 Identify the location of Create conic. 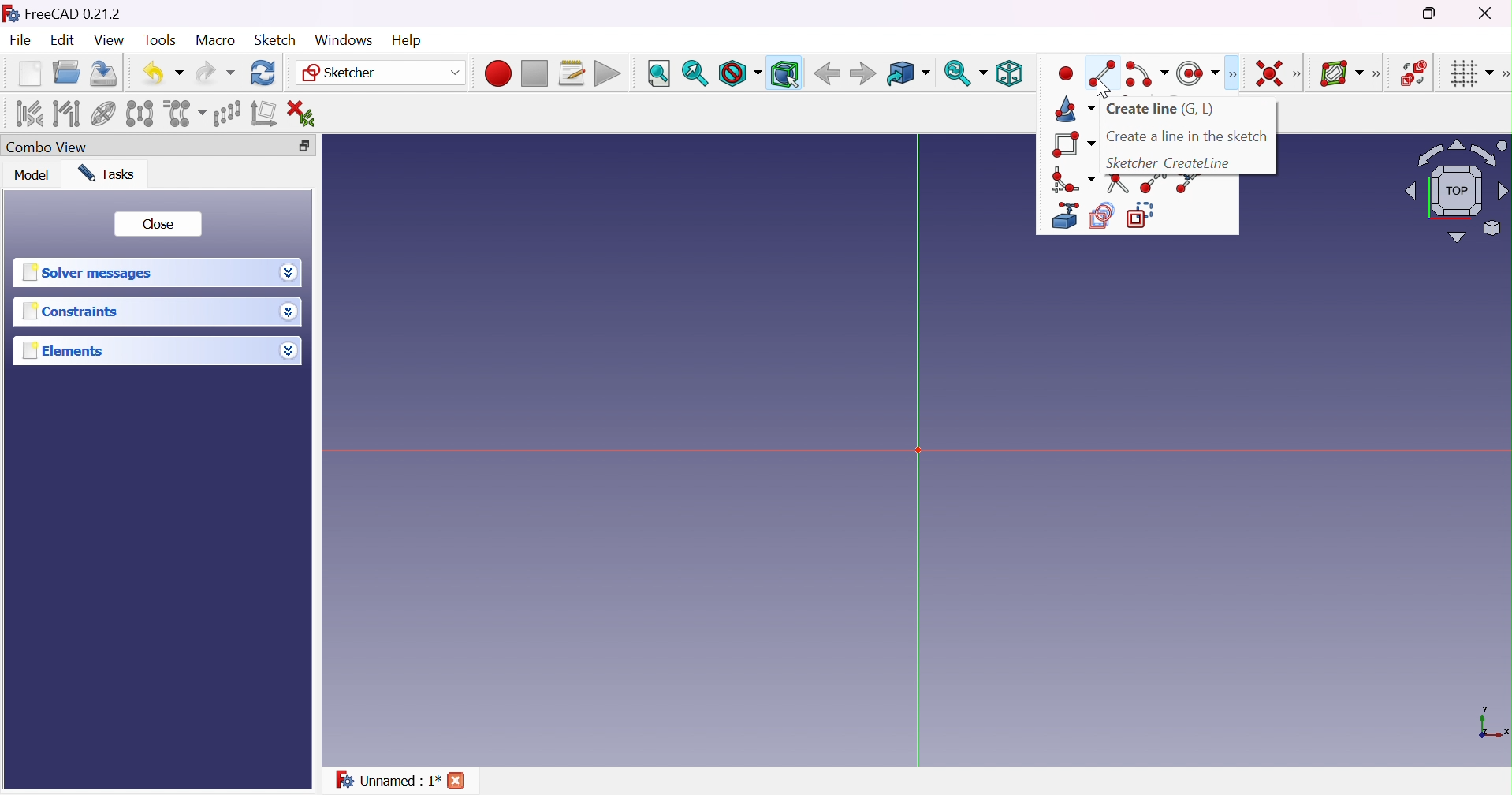
(1075, 108).